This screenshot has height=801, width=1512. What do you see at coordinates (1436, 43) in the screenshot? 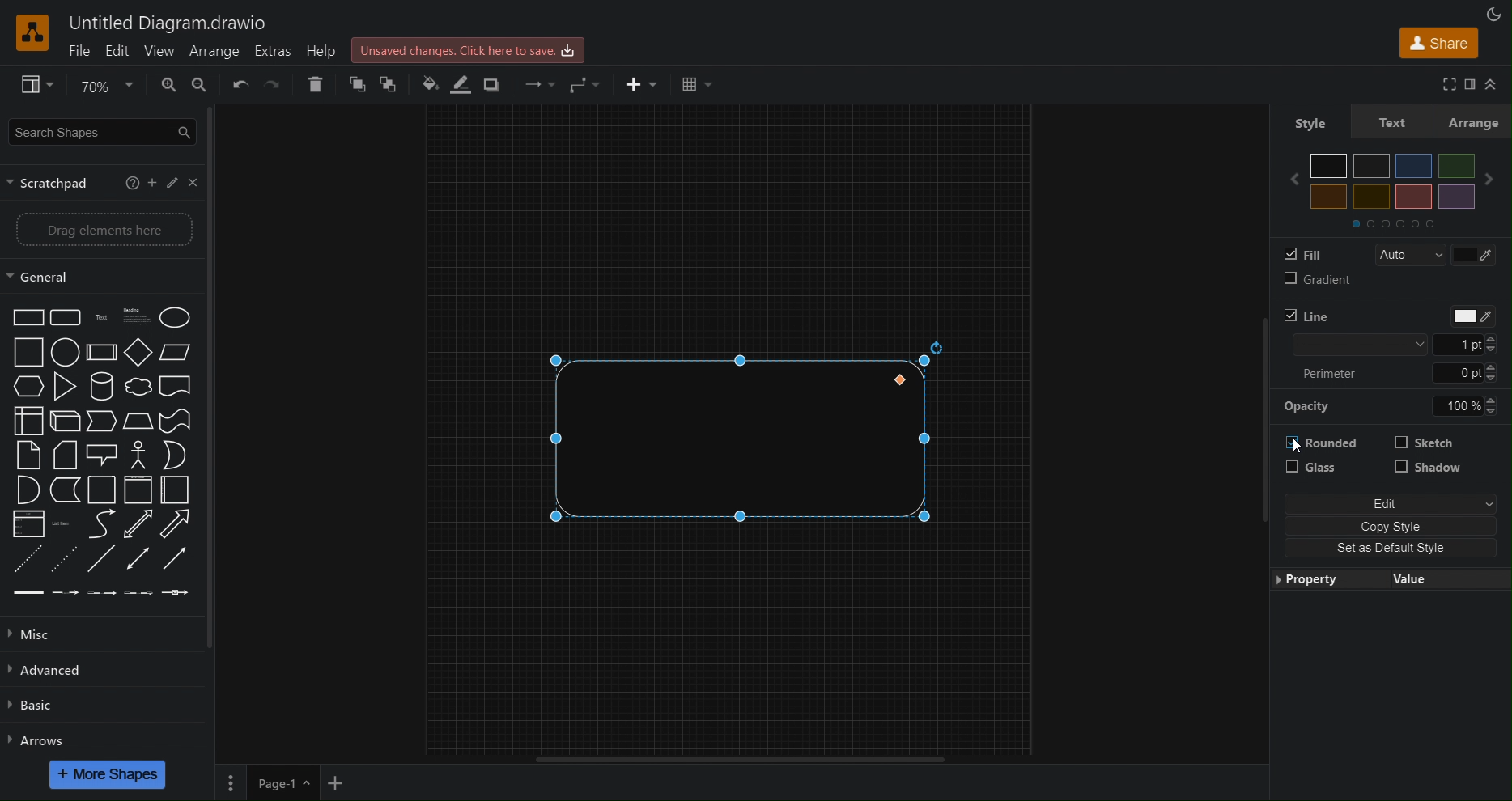
I see `Share` at bounding box center [1436, 43].